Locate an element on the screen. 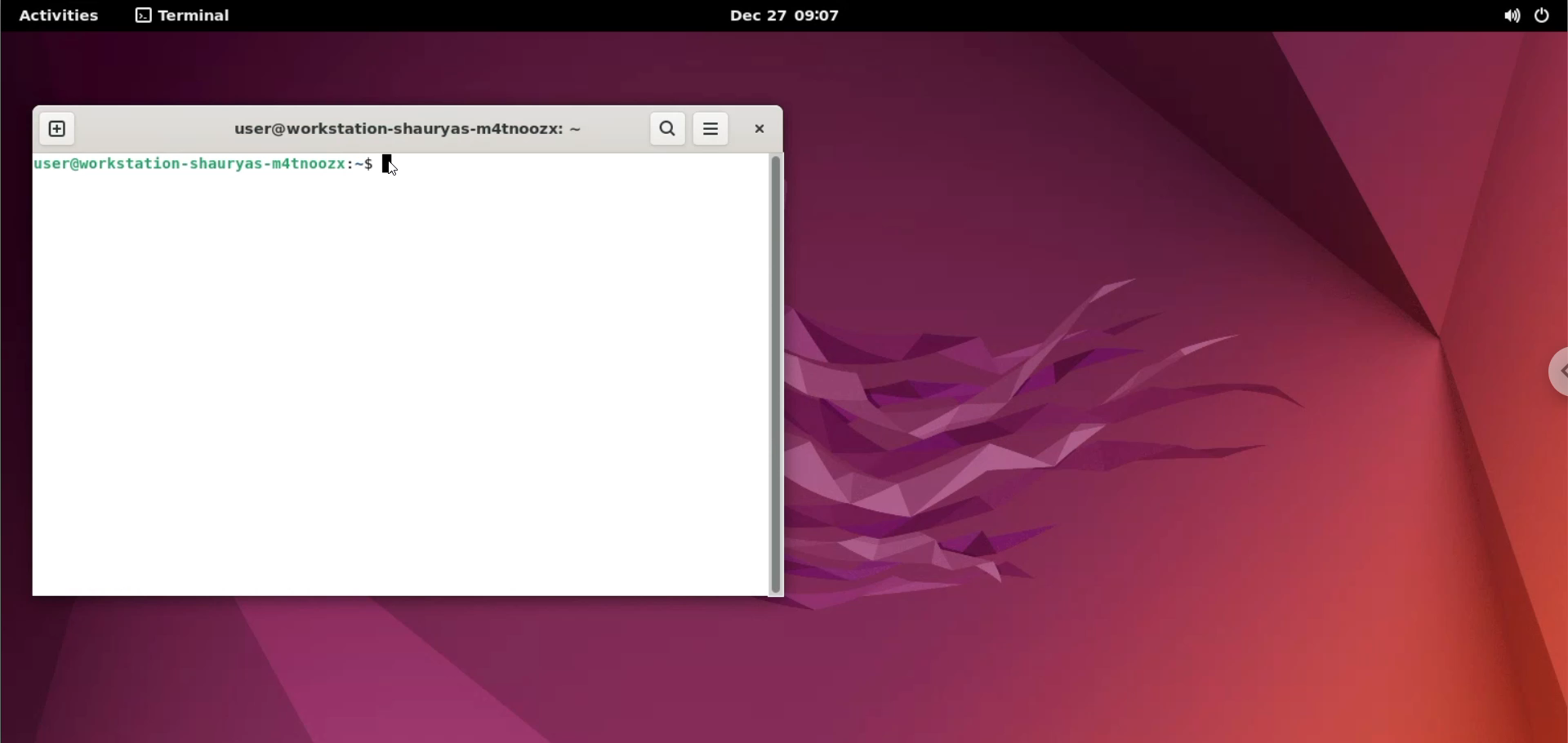 The width and height of the screenshot is (1568, 743). Sidebar is located at coordinates (1555, 374).